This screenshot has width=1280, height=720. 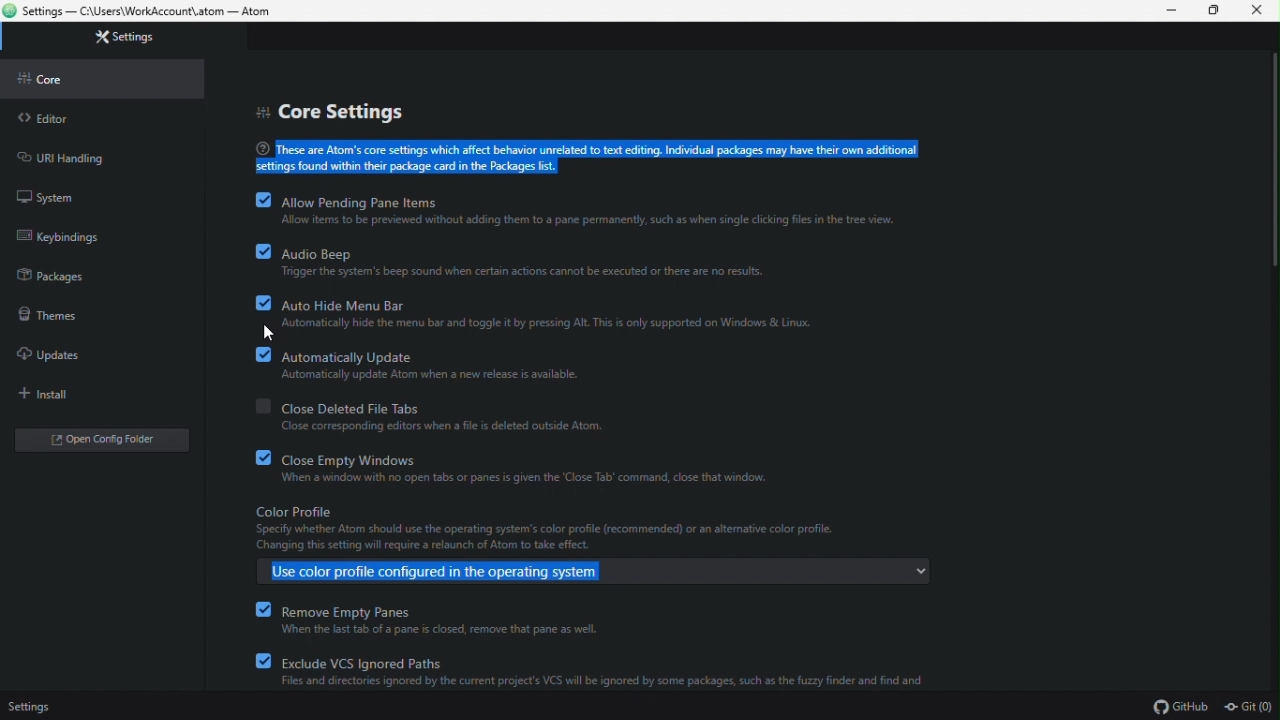 I want to click on checkbox, so click(x=253, y=252).